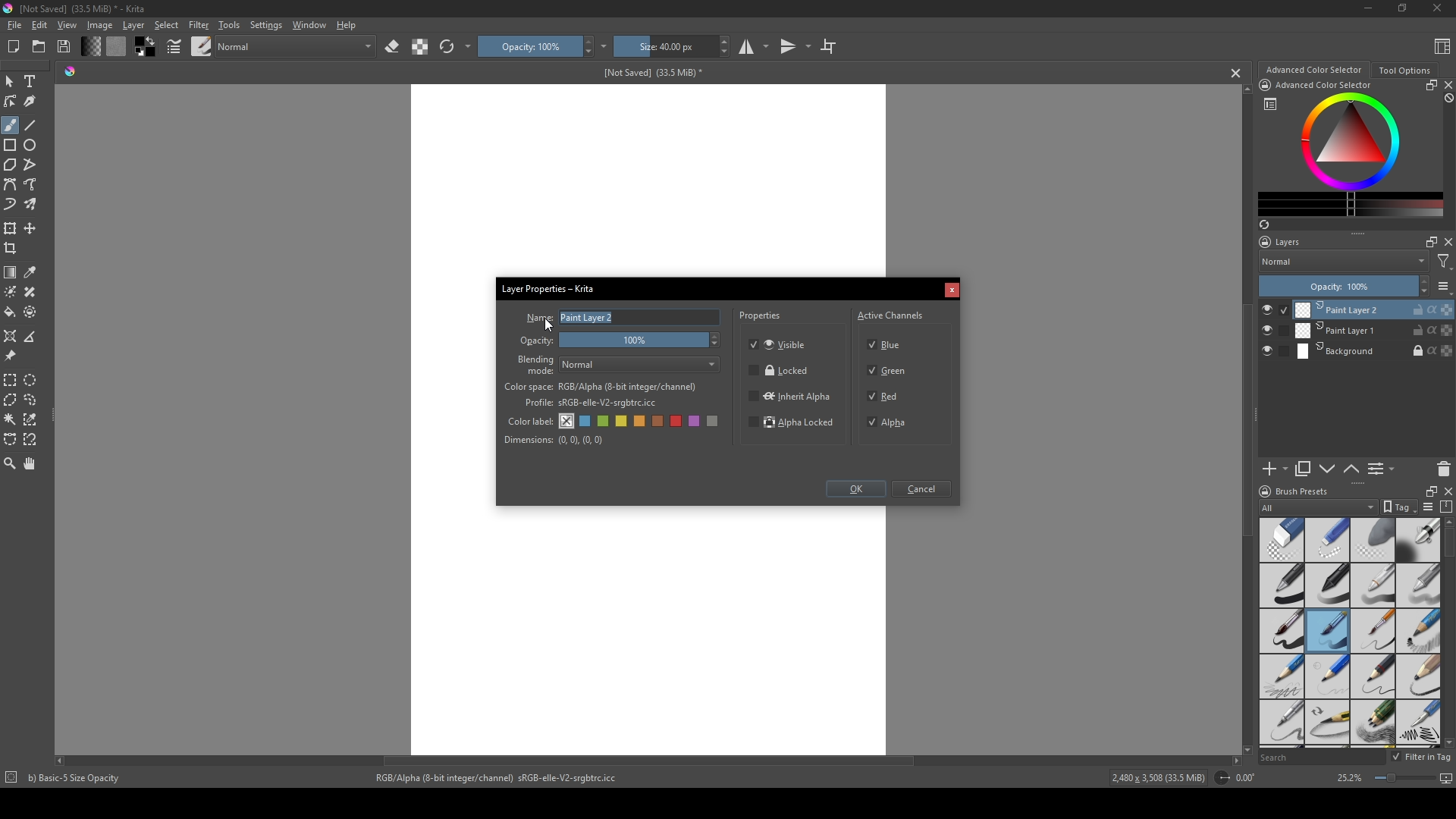 This screenshot has height=819, width=1456. Describe the element at coordinates (90, 46) in the screenshot. I see `change shade` at that location.